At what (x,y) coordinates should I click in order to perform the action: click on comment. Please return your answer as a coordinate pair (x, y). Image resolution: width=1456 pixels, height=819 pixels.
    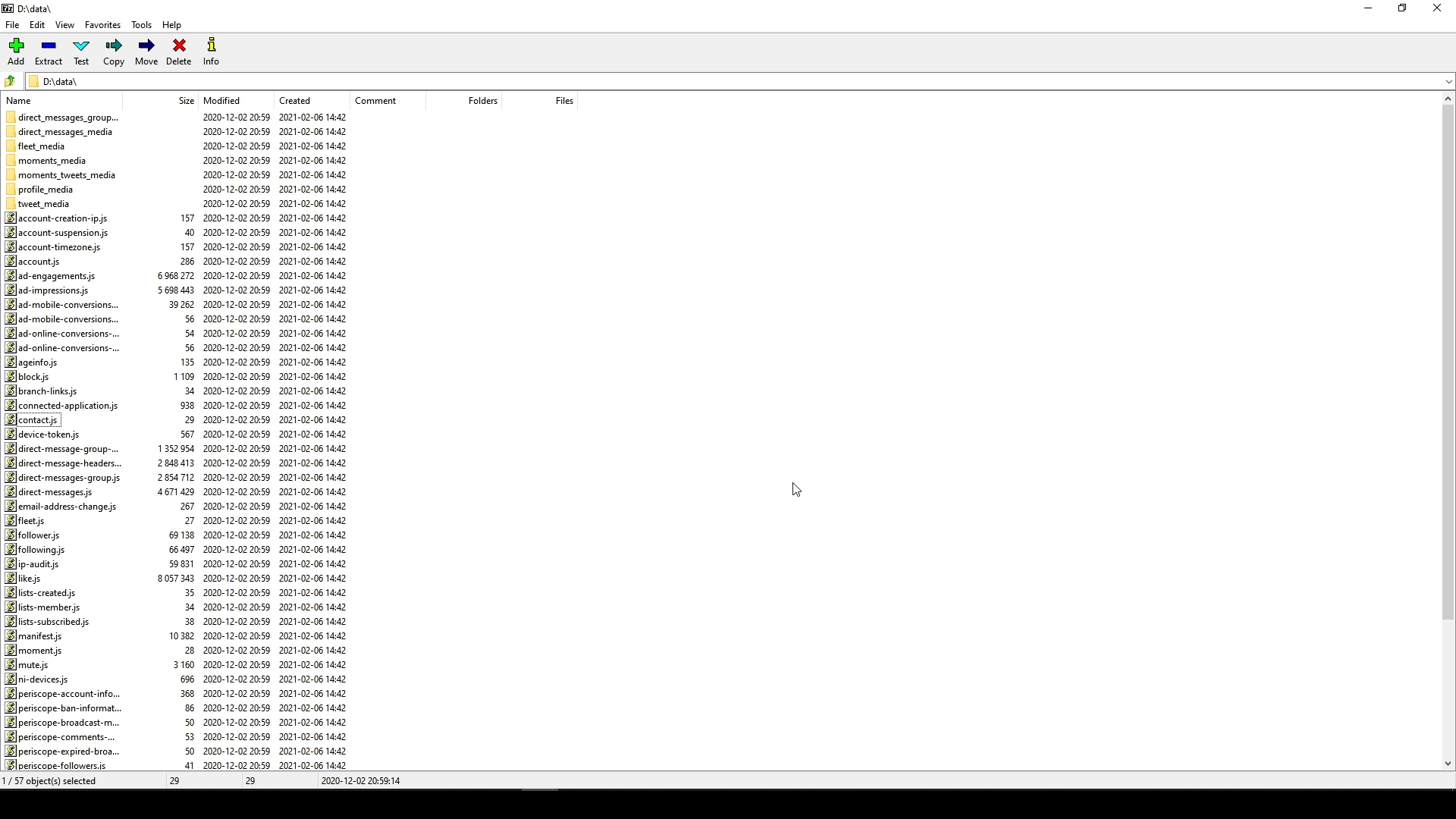
    Looking at the image, I should click on (381, 100).